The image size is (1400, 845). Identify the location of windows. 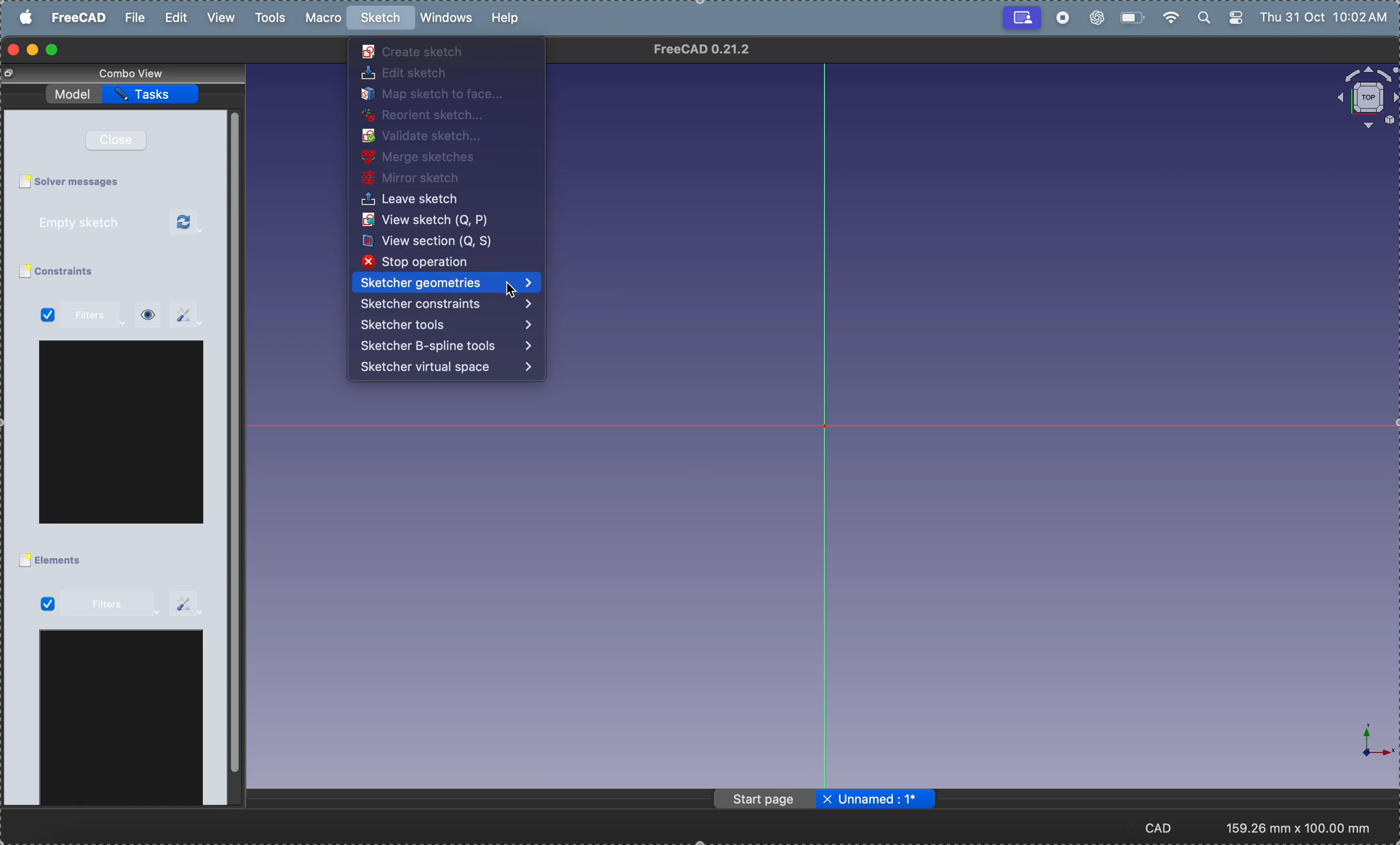
(450, 19).